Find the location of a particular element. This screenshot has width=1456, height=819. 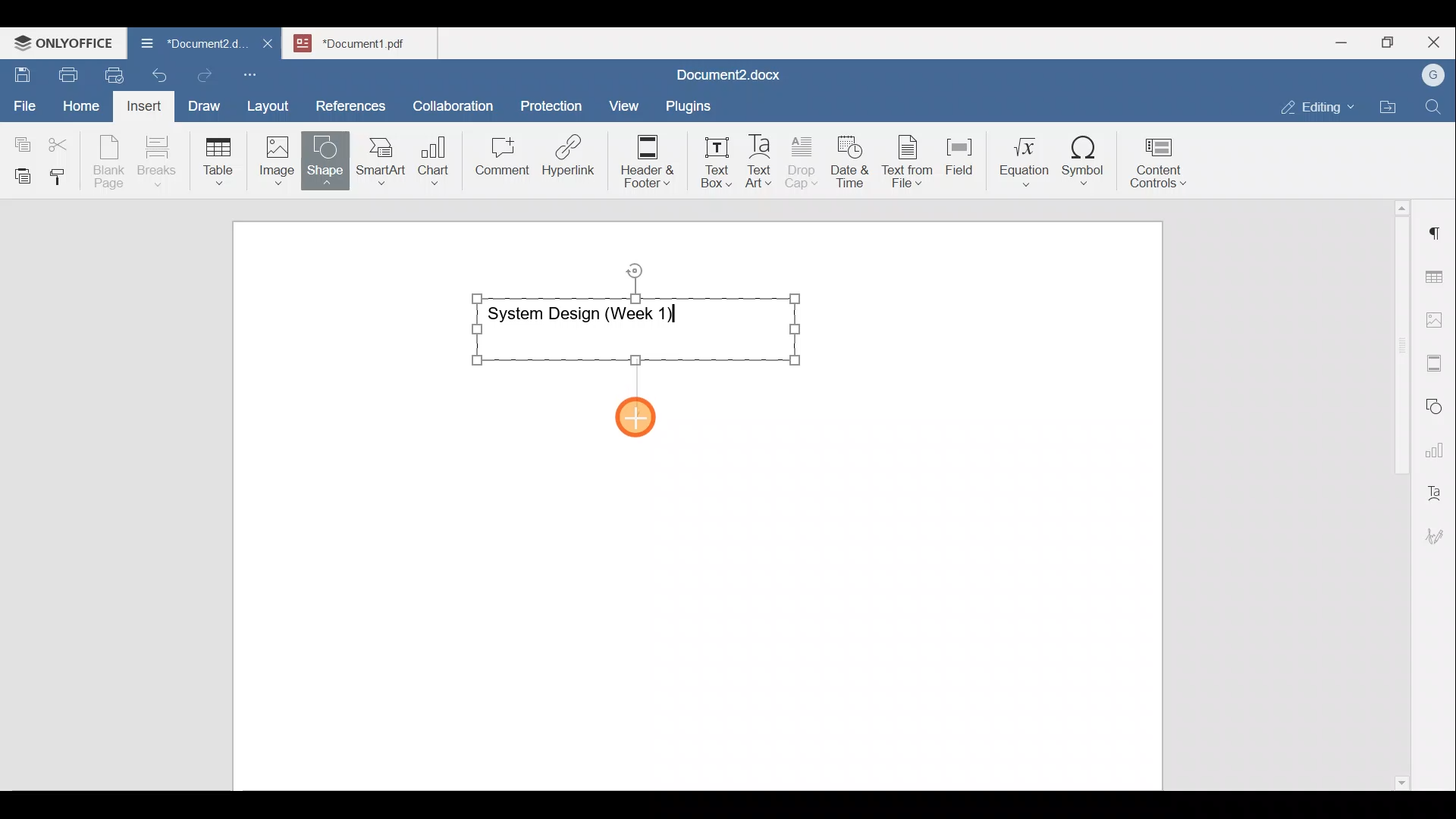

Cursor is located at coordinates (641, 416).